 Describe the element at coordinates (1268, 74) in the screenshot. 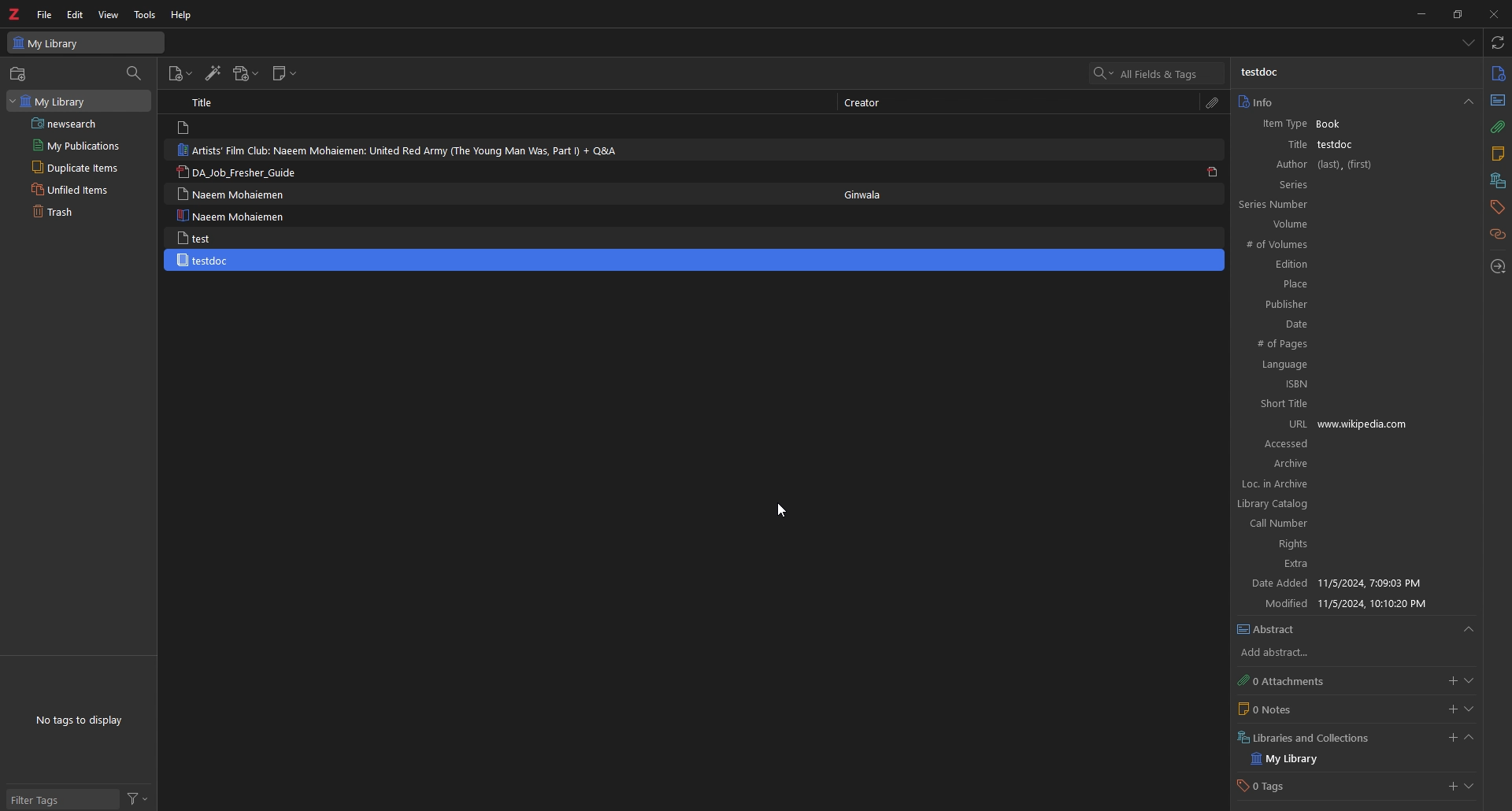

I see `testdoc` at that location.